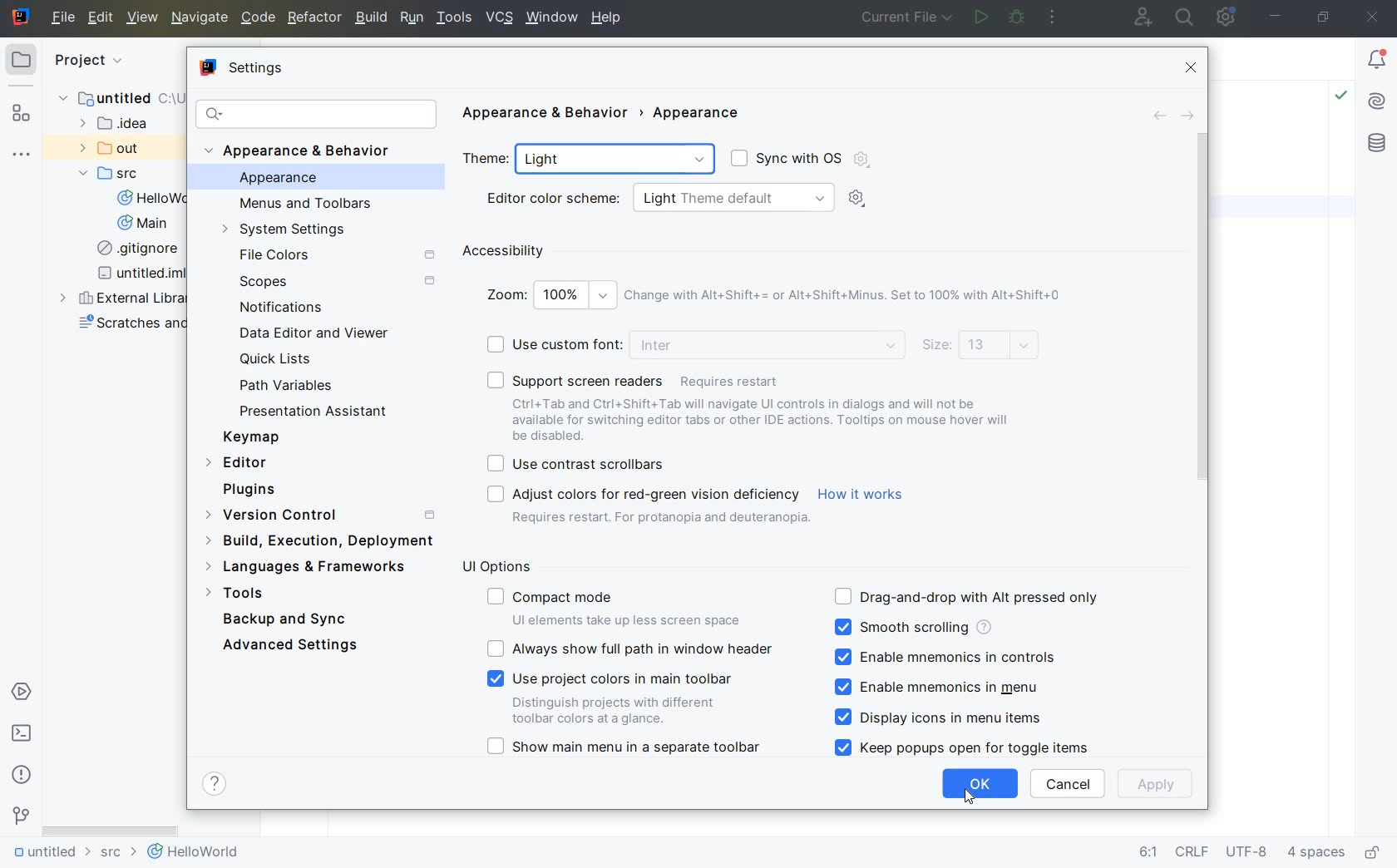  Describe the element at coordinates (258, 17) in the screenshot. I see `CODE` at that location.